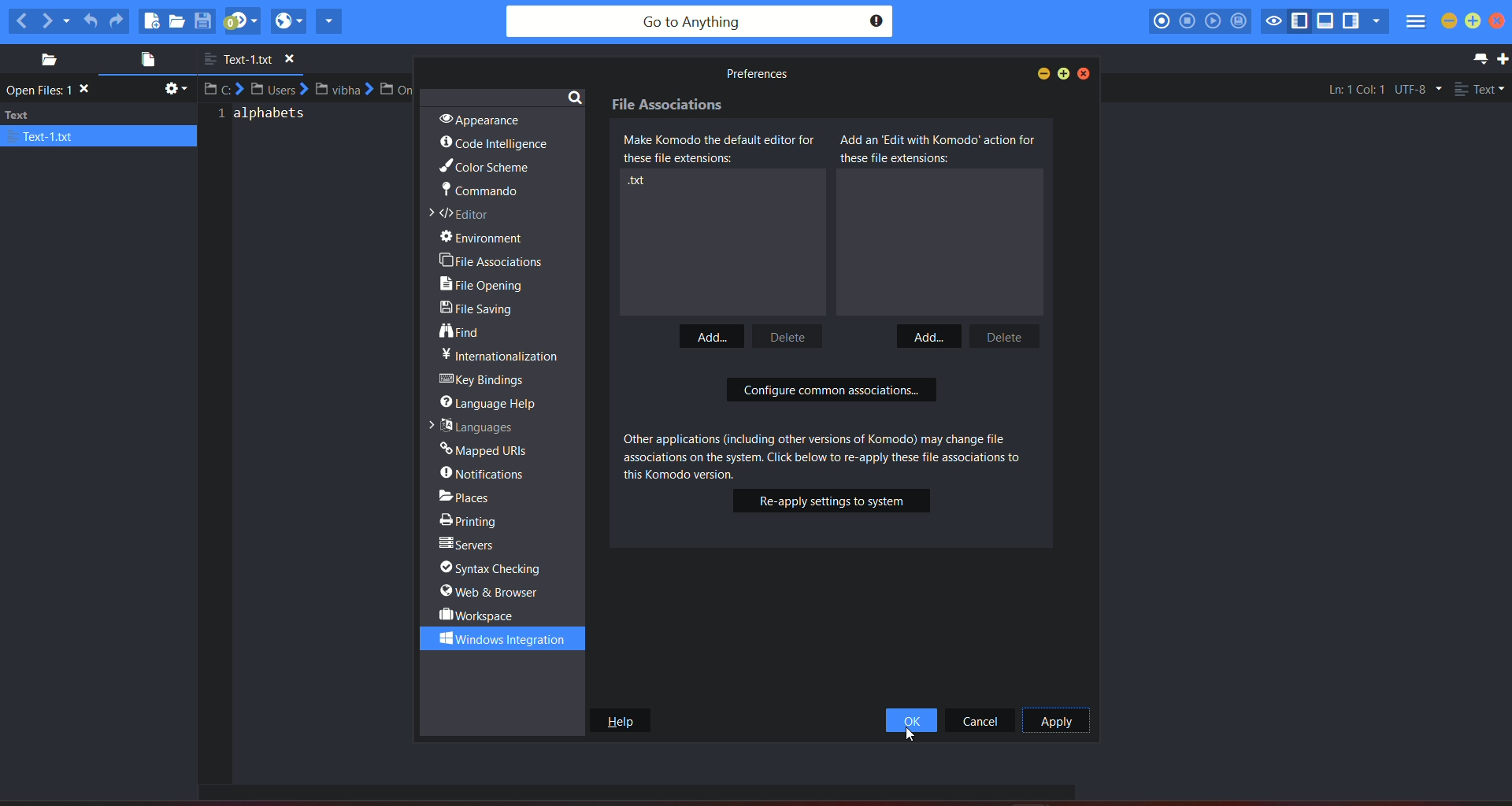 The width and height of the screenshot is (1512, 806). I want to click on .txt, so click(643, 183).